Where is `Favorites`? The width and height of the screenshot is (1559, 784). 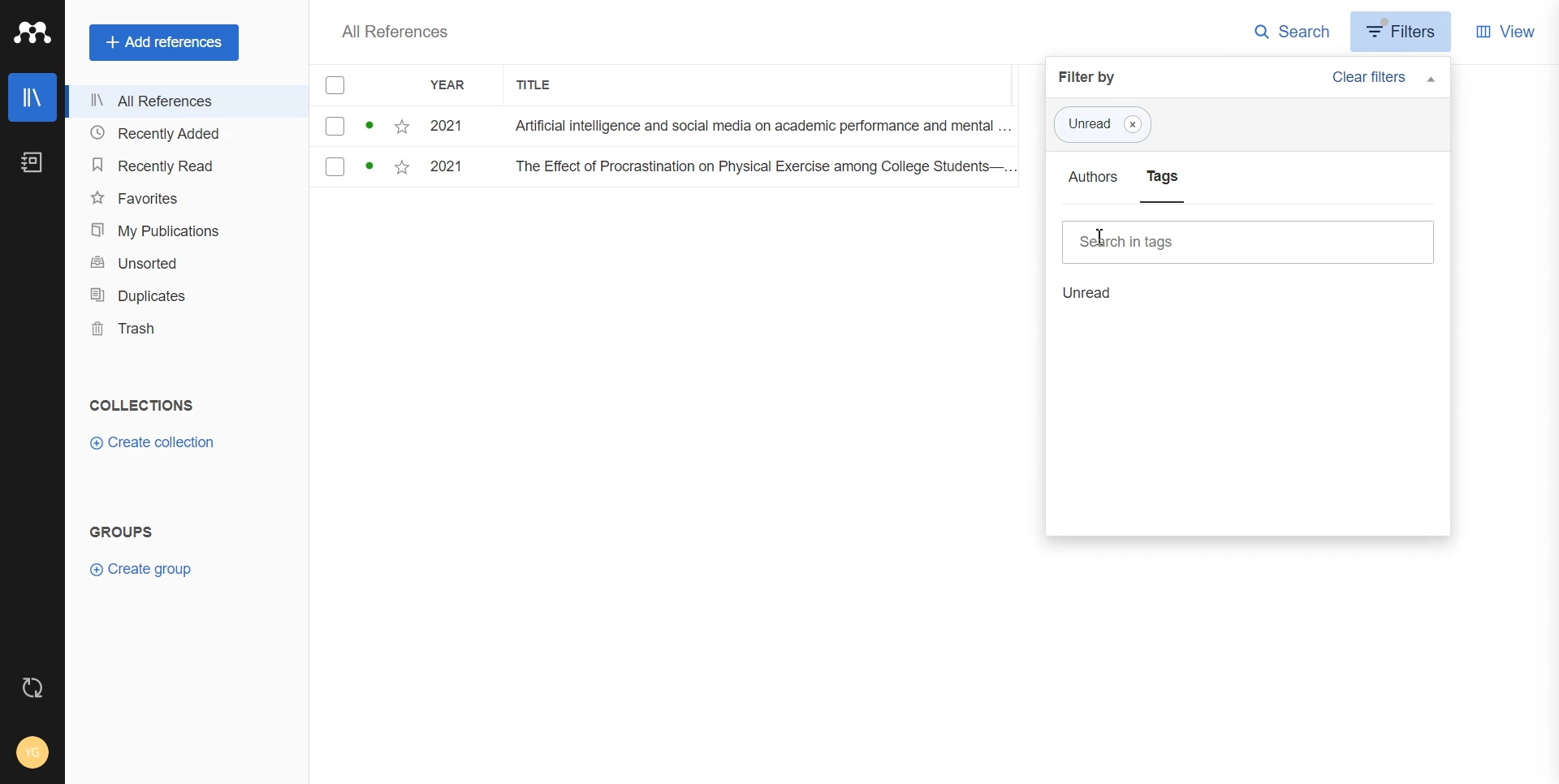
Favorites is located at coordinates (185, 197).